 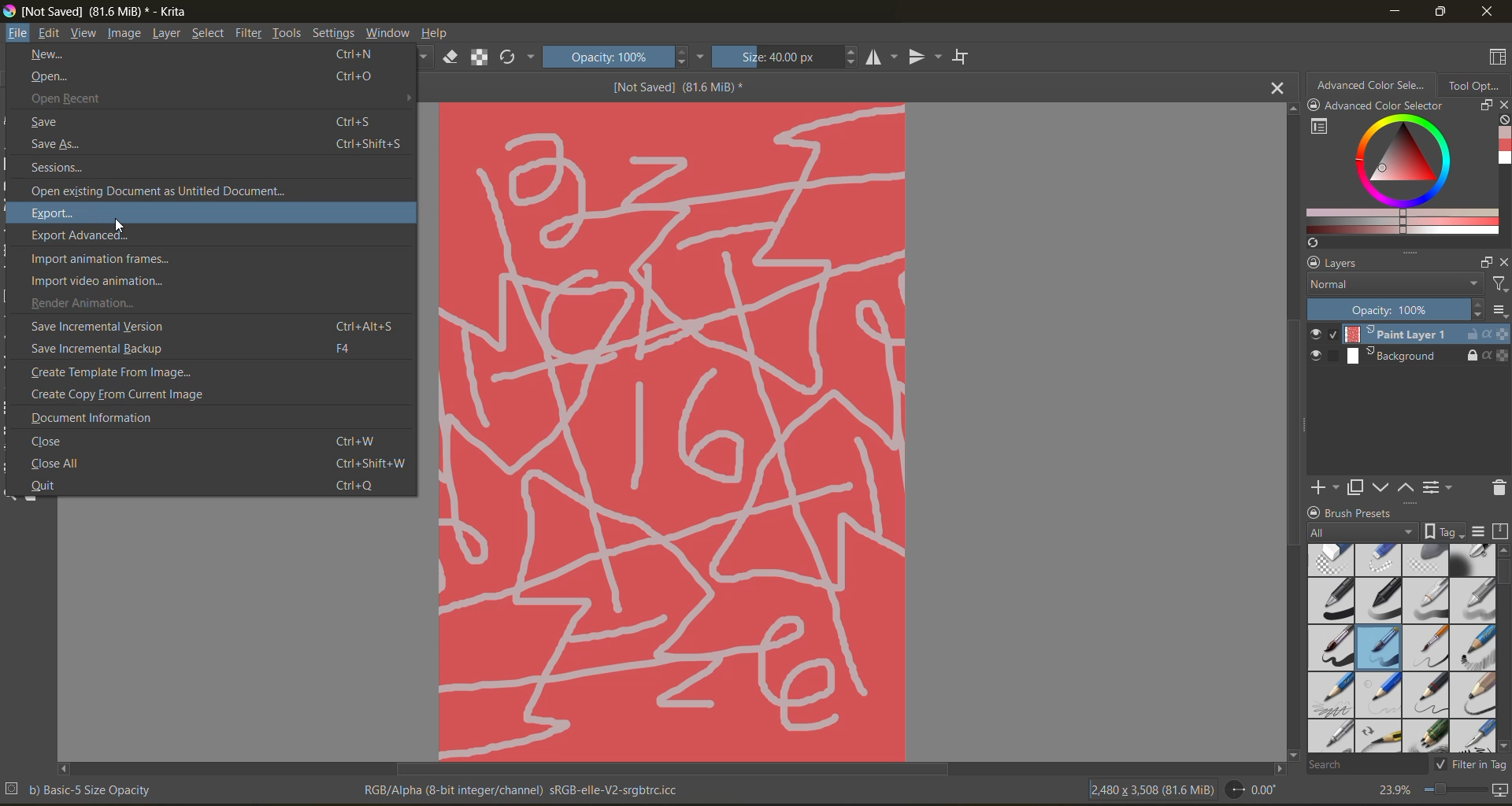 What do you see at coordinates (289, 33) in the screenshot?
I see `tools` at bounding box center [289, 33].